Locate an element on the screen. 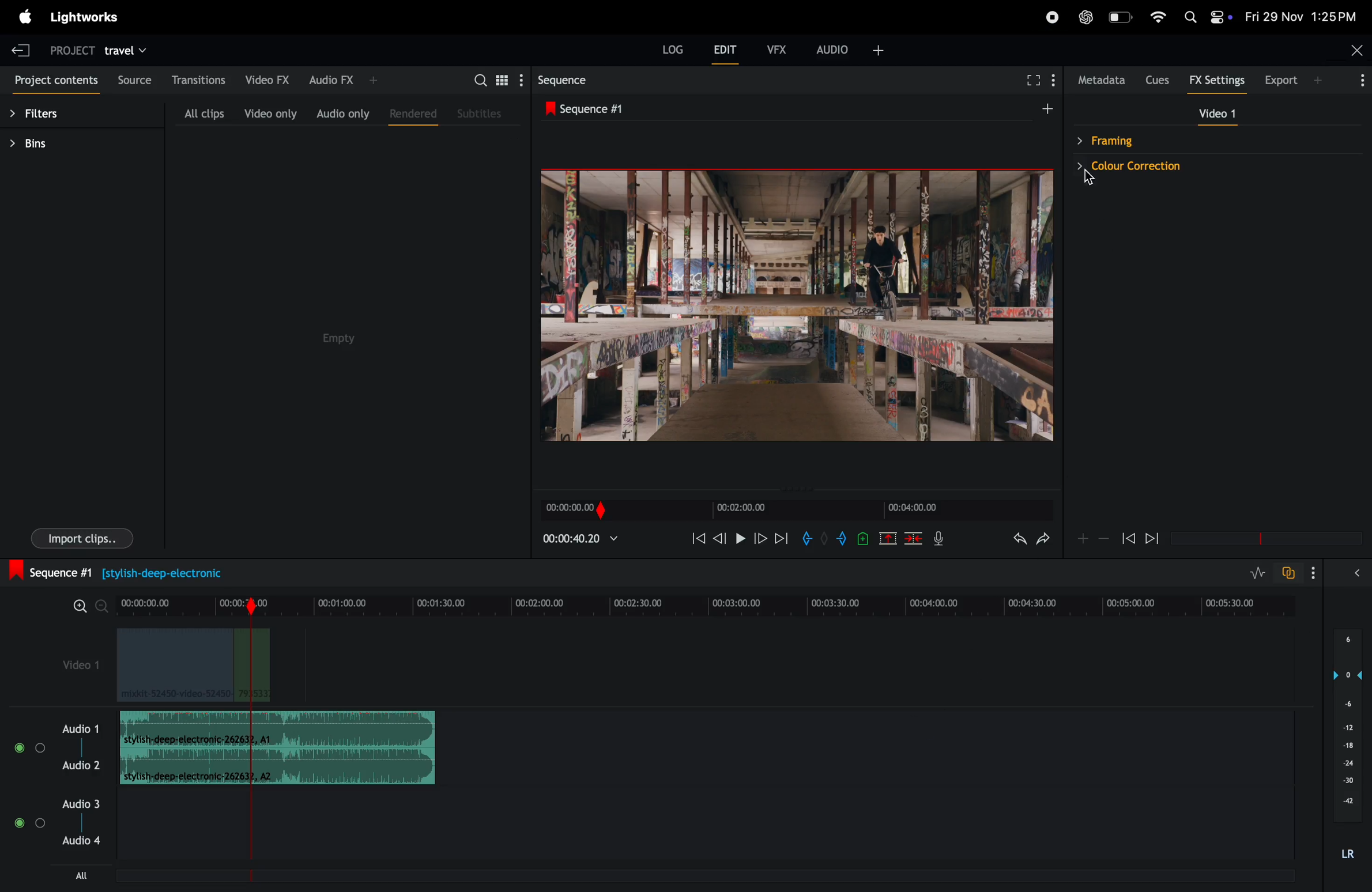 Image resolution: width=1372 pixels, height=892 pixels. Audio 2 is located at coordinates (81, 765).